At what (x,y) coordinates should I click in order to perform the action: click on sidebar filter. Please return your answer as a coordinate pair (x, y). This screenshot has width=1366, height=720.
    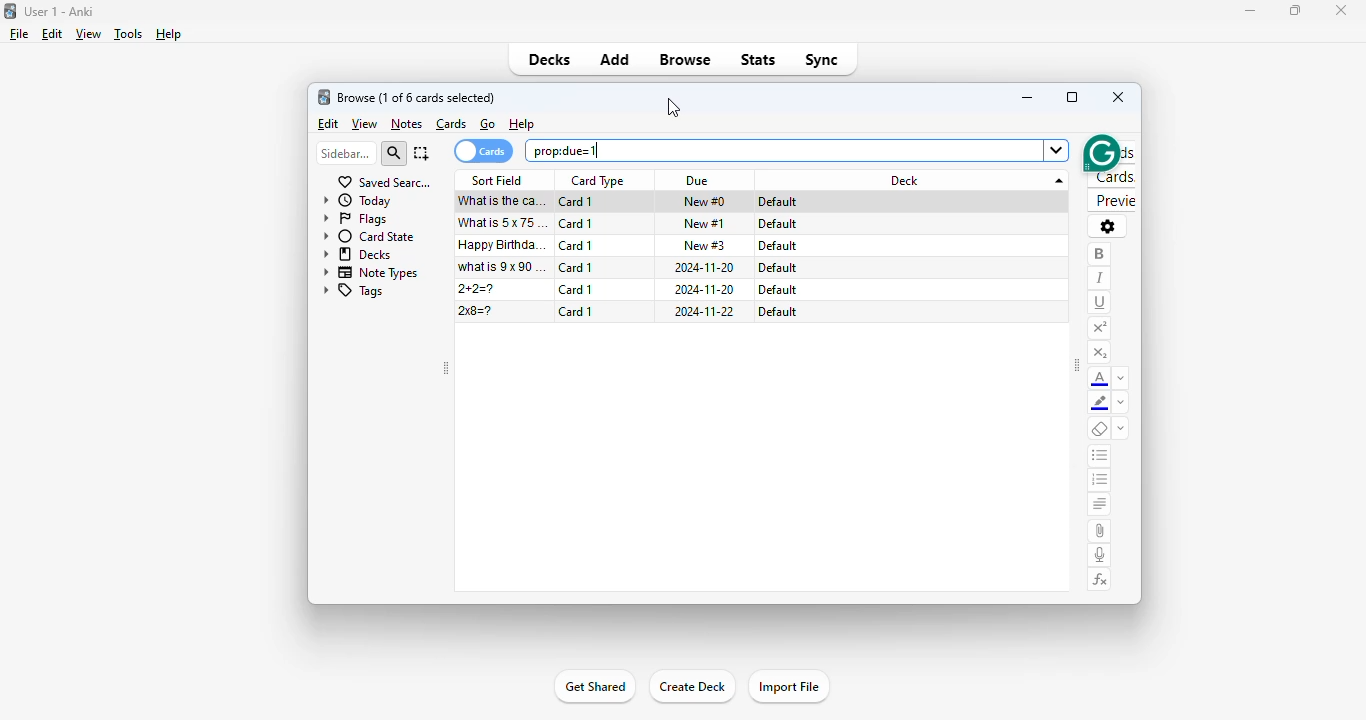
    Looking at the image, I should click on (346, 154).